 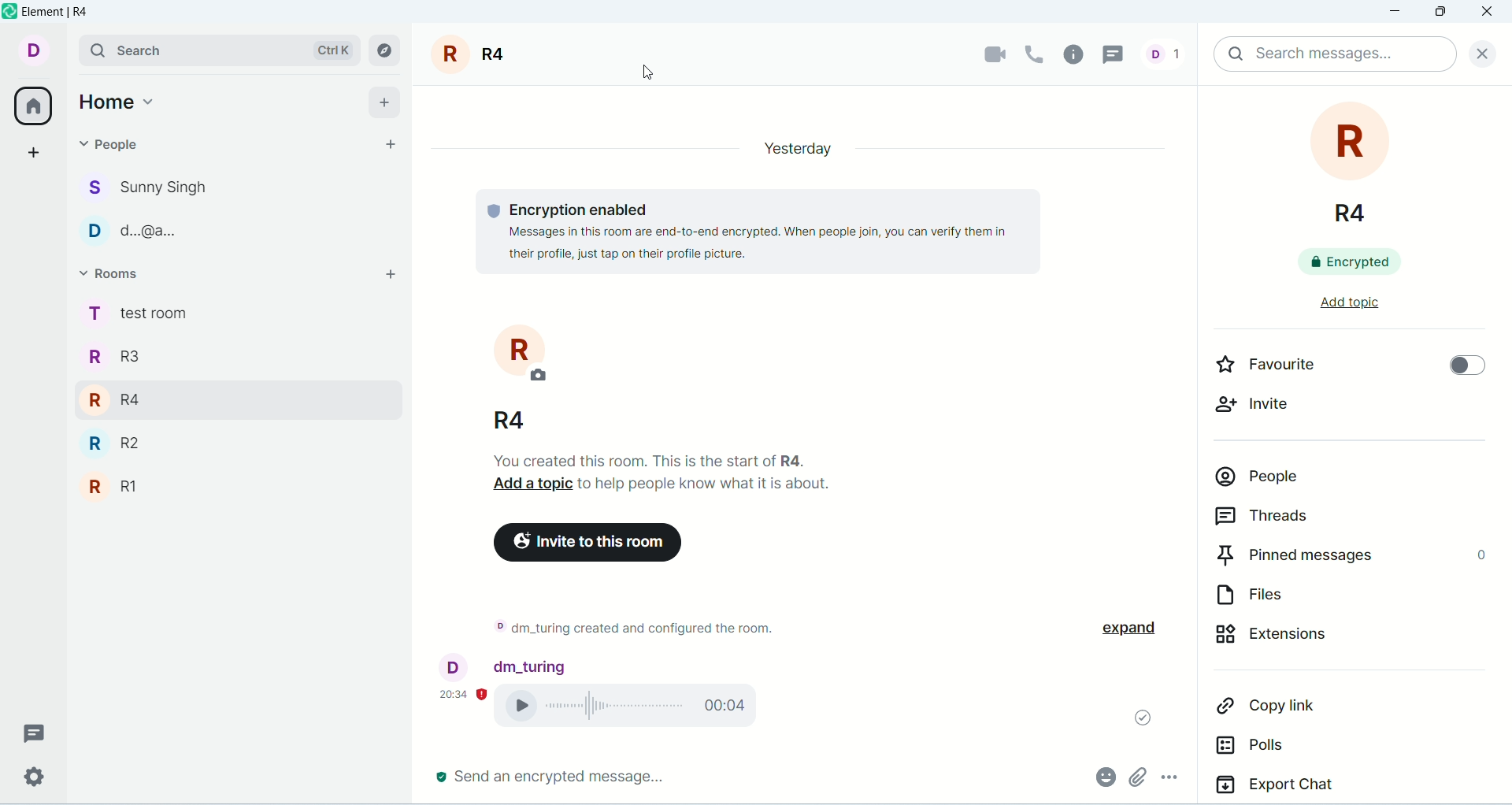 What do you see at coordinates (1478, 51) in the screenshot?
I see `close` at bounding box center [1478, 51].